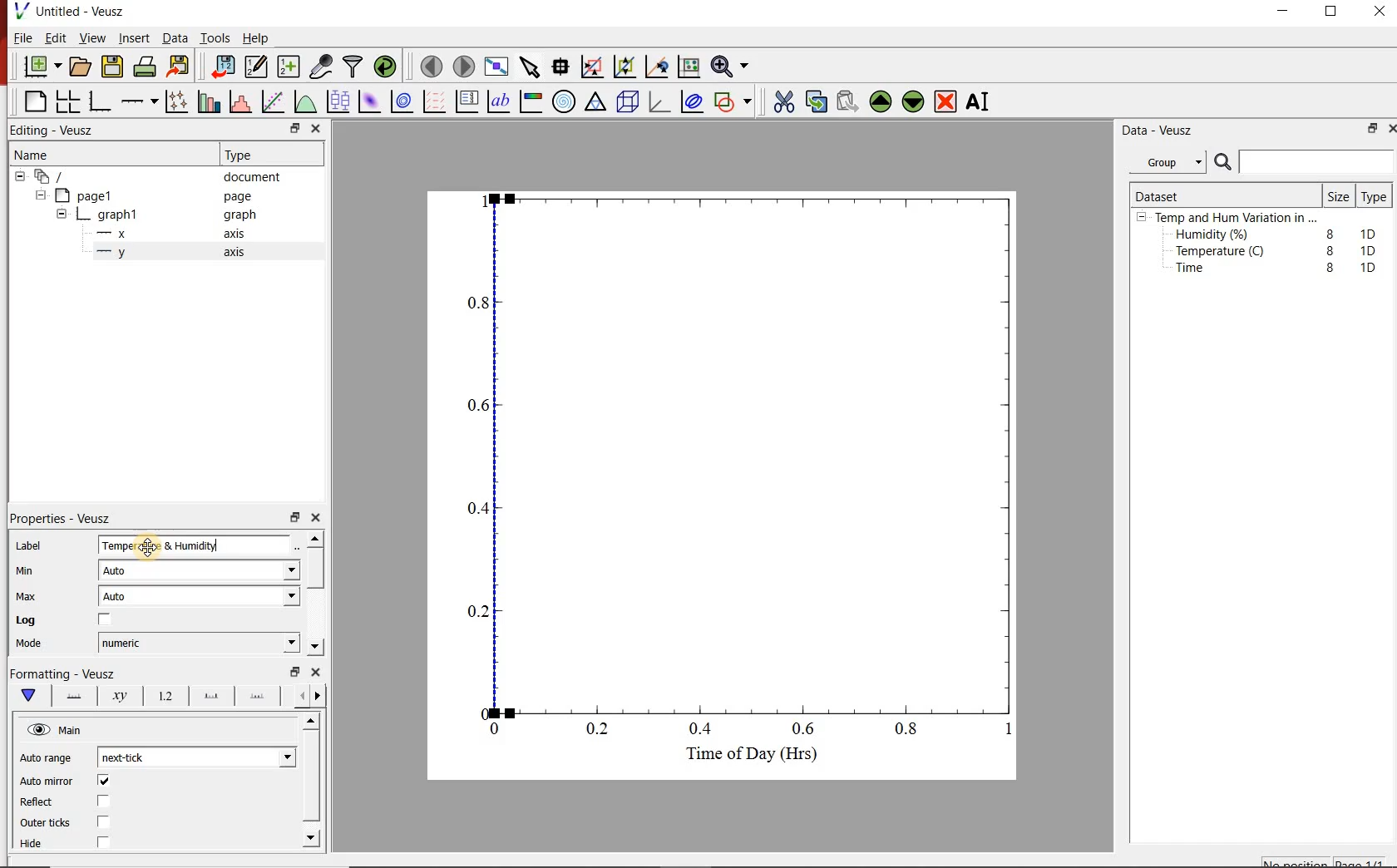 This screenshot has height=868, width=1397. I want to click on 0.2, so click(476, 611).